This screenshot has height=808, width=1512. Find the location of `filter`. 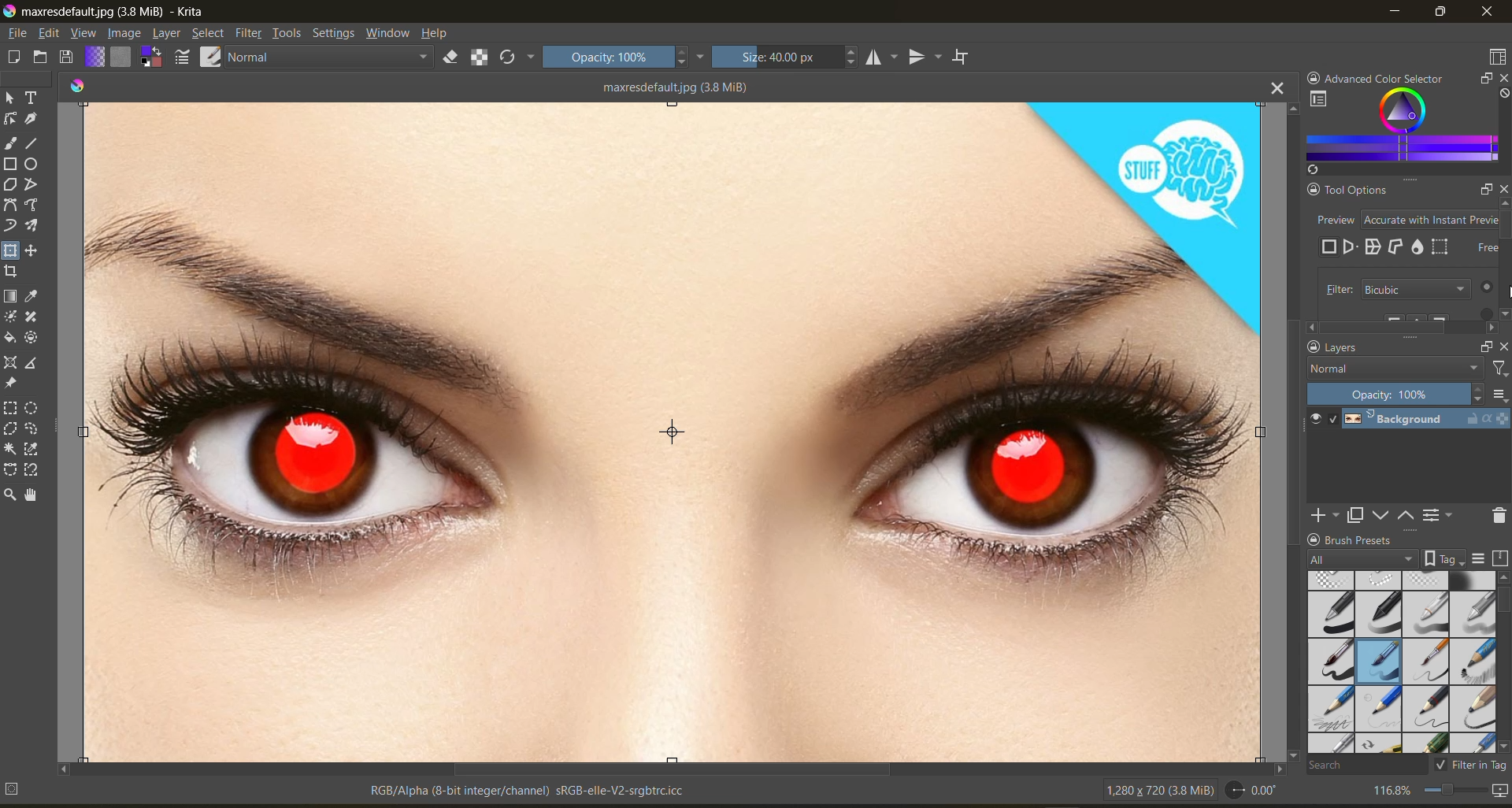

filter is located at coordinates (1498, 369).